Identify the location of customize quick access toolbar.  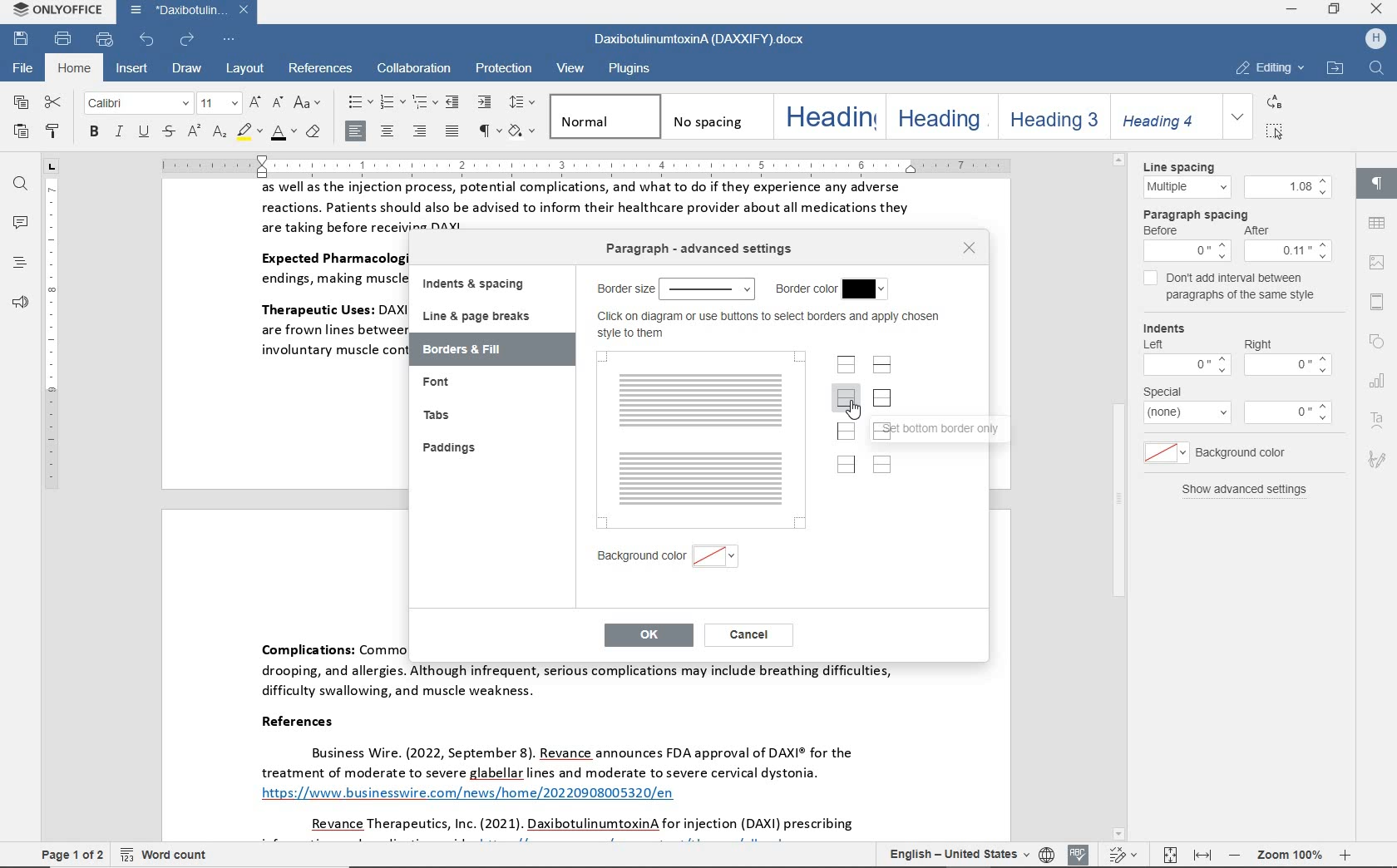
(227, 41).